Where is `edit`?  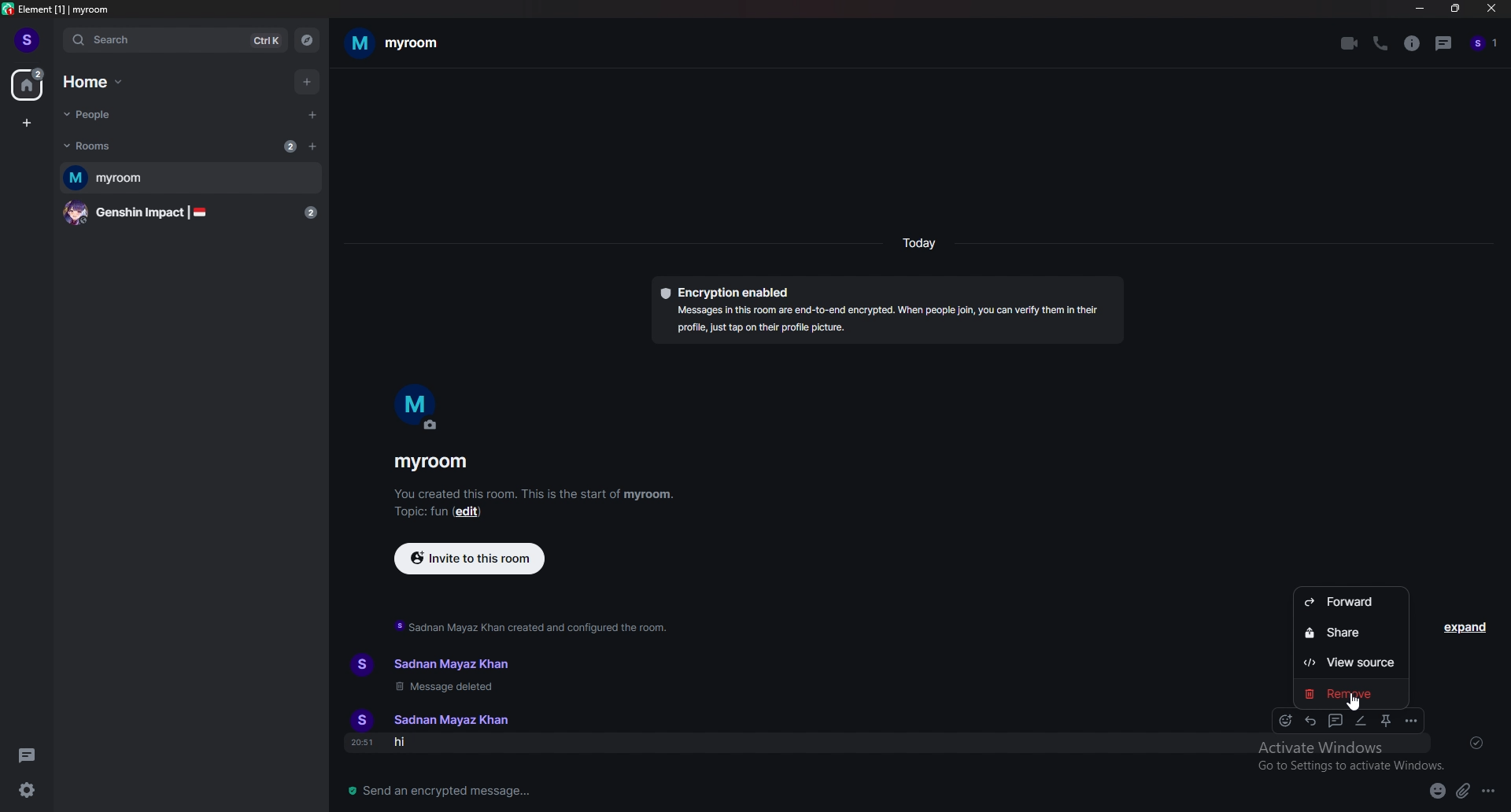 edit is located at coordinates (1361, 721).